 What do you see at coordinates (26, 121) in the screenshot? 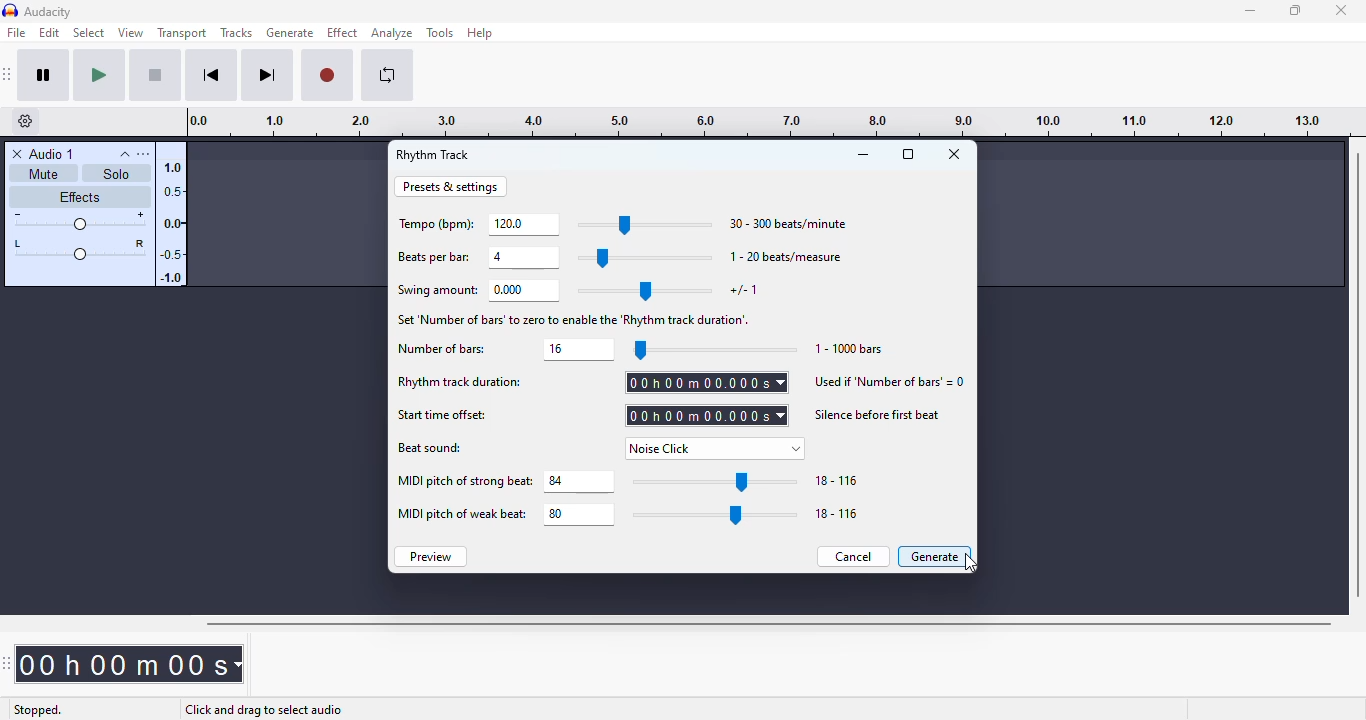
I see `timeline options` at bounding box center [26, 121].